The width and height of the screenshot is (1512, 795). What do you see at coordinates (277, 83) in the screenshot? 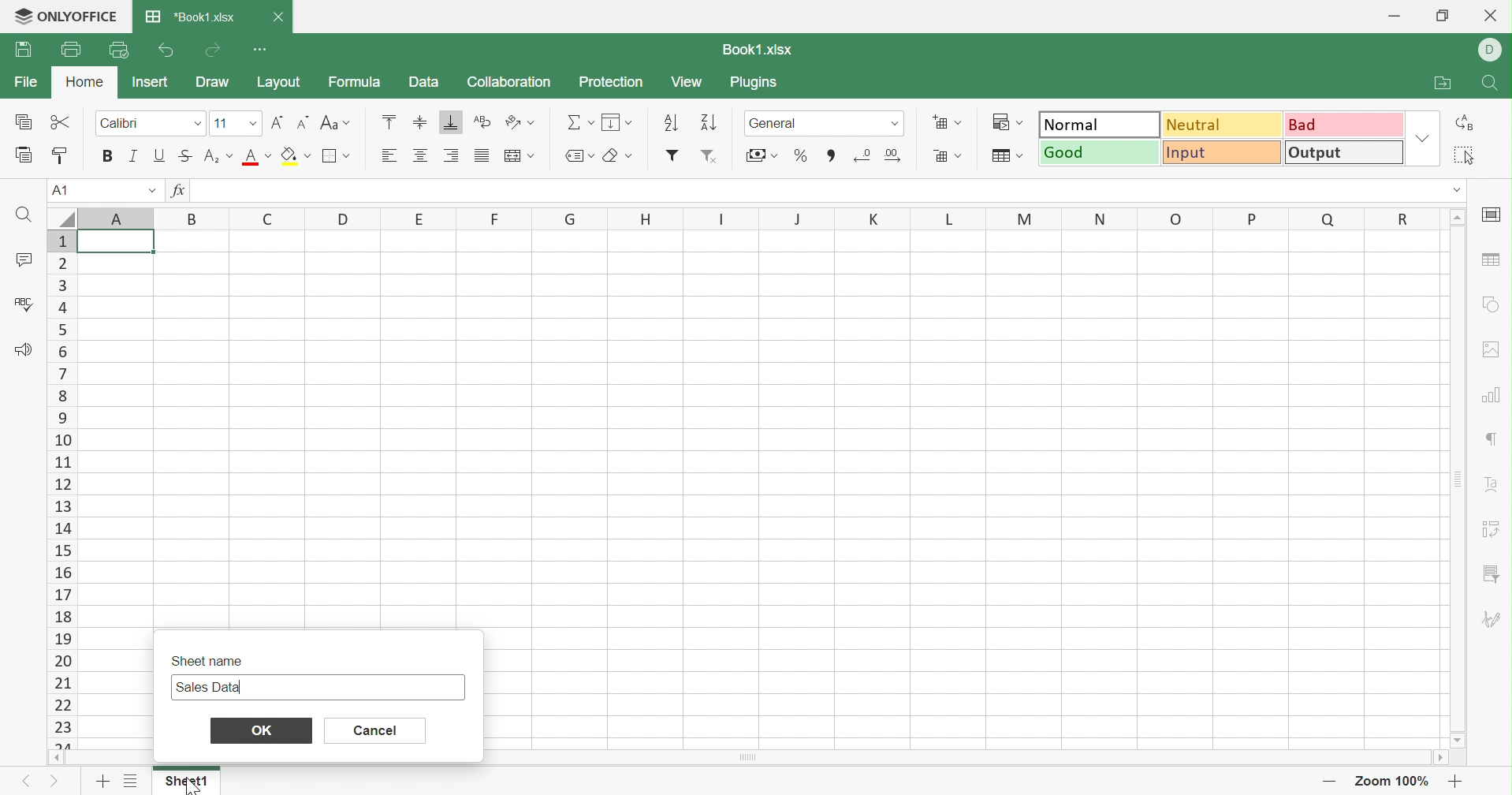
I see `Layout` at bounding box center [277, 83].